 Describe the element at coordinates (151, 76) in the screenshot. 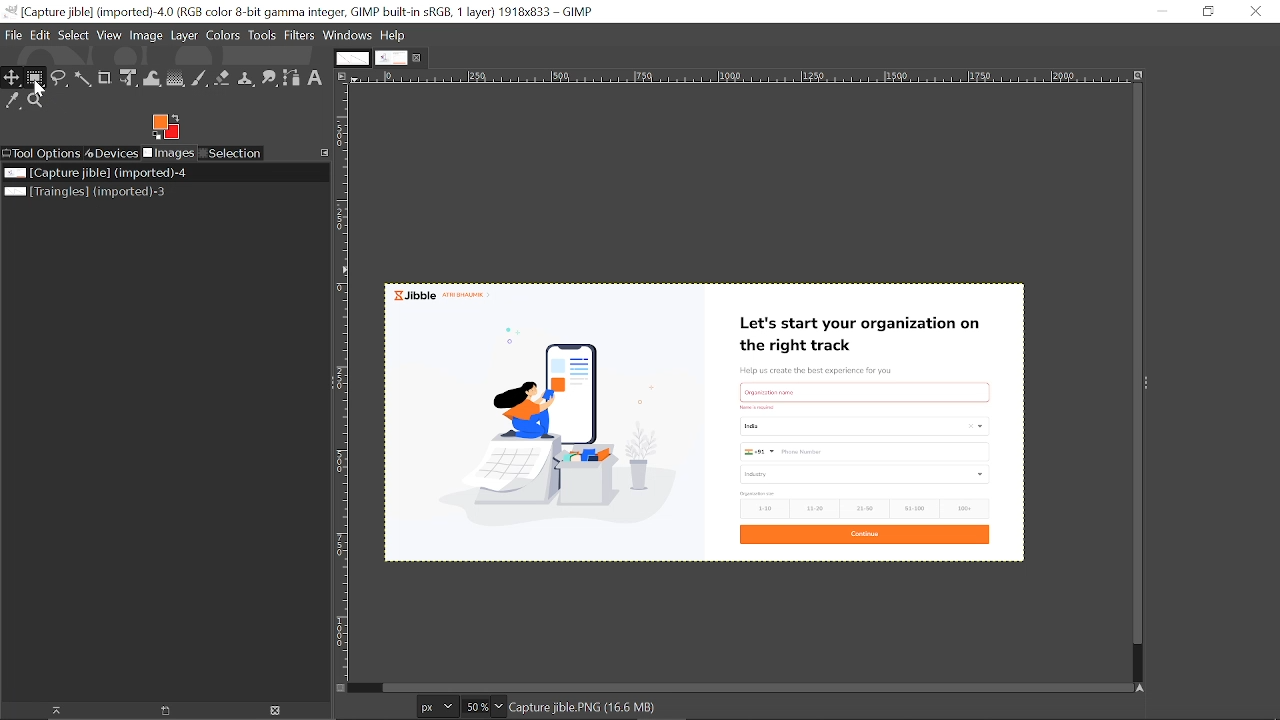

I see `wrap text` at that location.